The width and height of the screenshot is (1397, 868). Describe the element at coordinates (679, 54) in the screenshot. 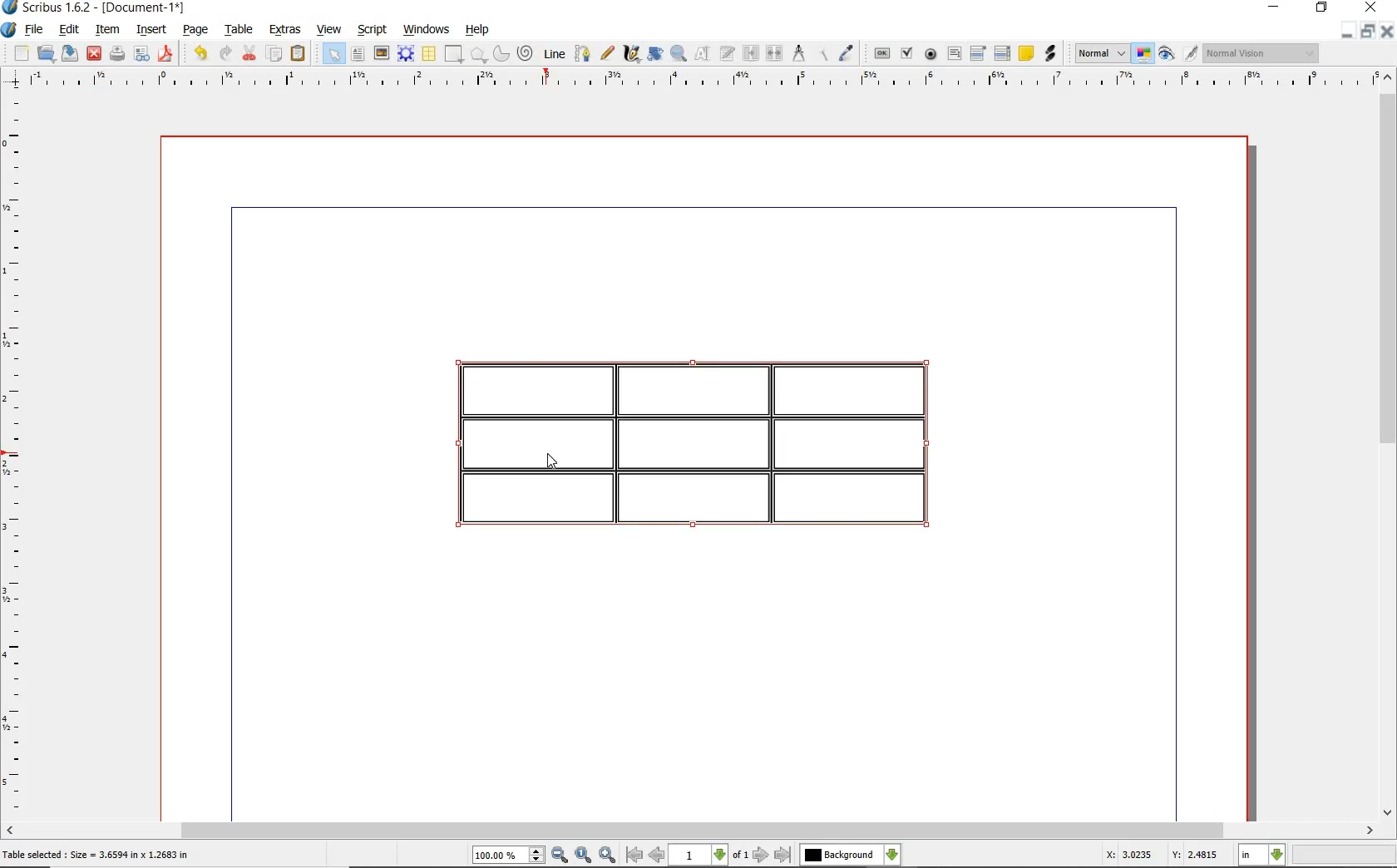

I see `zoom in and out` at that location.